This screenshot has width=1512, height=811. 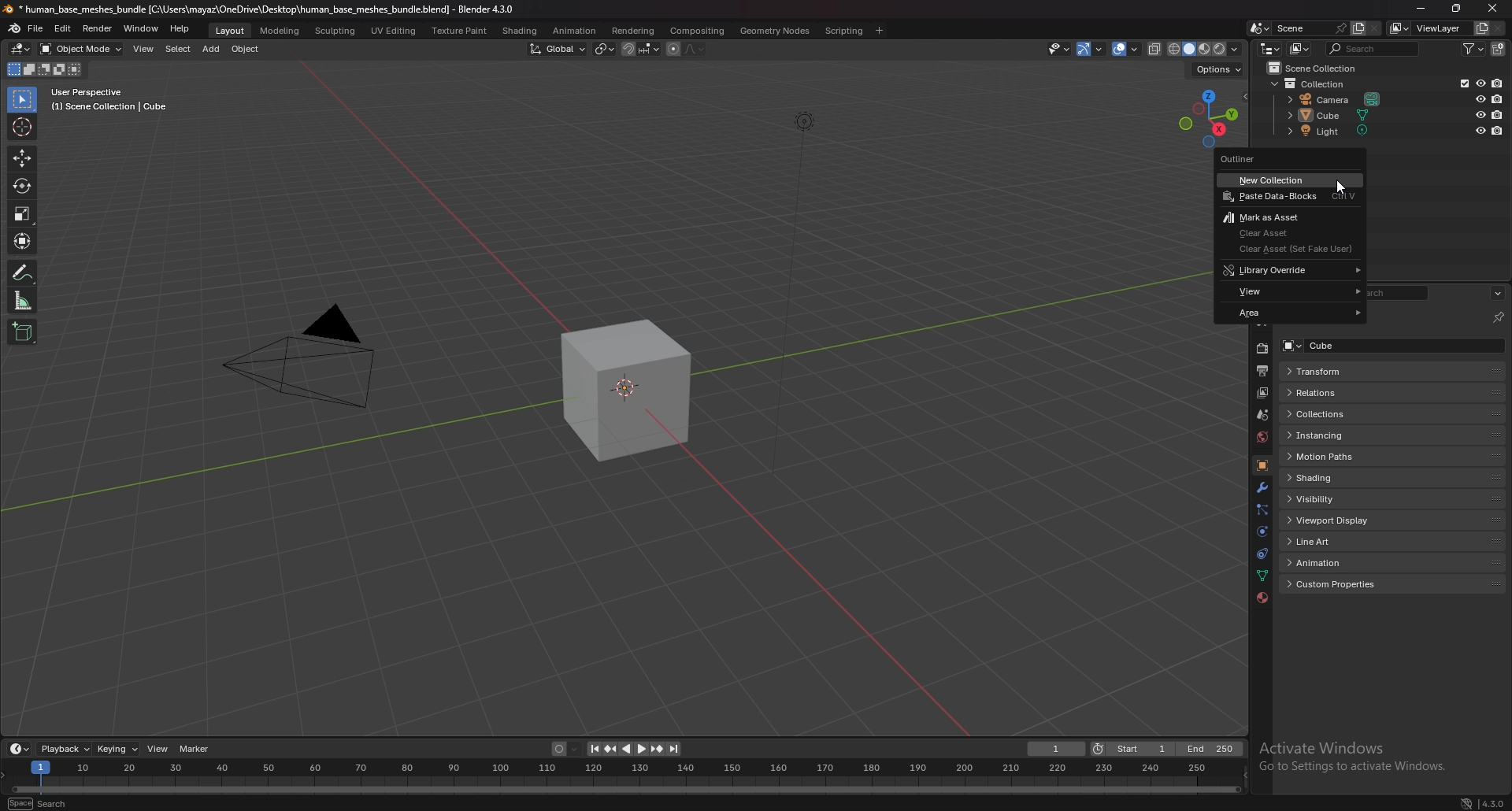 I want to click on object, so click(x=246, y=49).